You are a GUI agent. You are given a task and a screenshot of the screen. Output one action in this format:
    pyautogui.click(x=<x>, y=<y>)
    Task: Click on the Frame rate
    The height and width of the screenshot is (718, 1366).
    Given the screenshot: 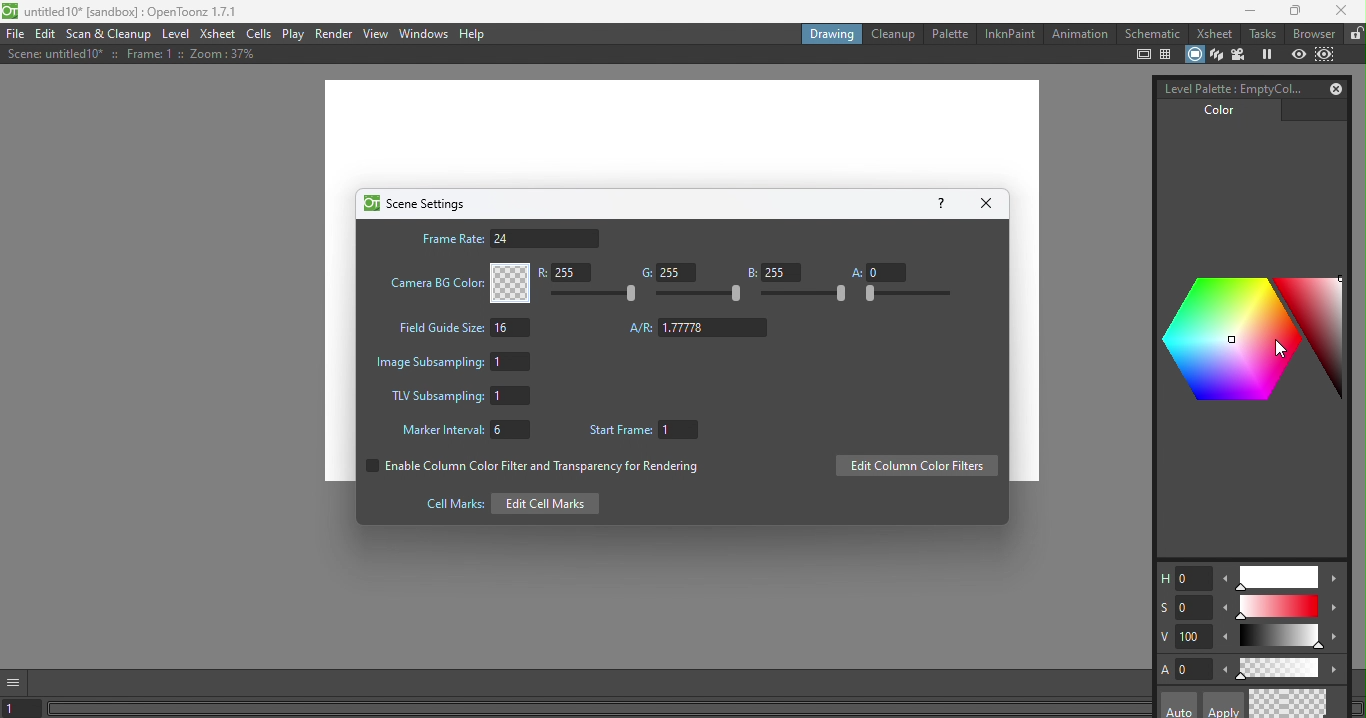 What is the action you would take?
    pyautogui.click(x=509, y=238)
    